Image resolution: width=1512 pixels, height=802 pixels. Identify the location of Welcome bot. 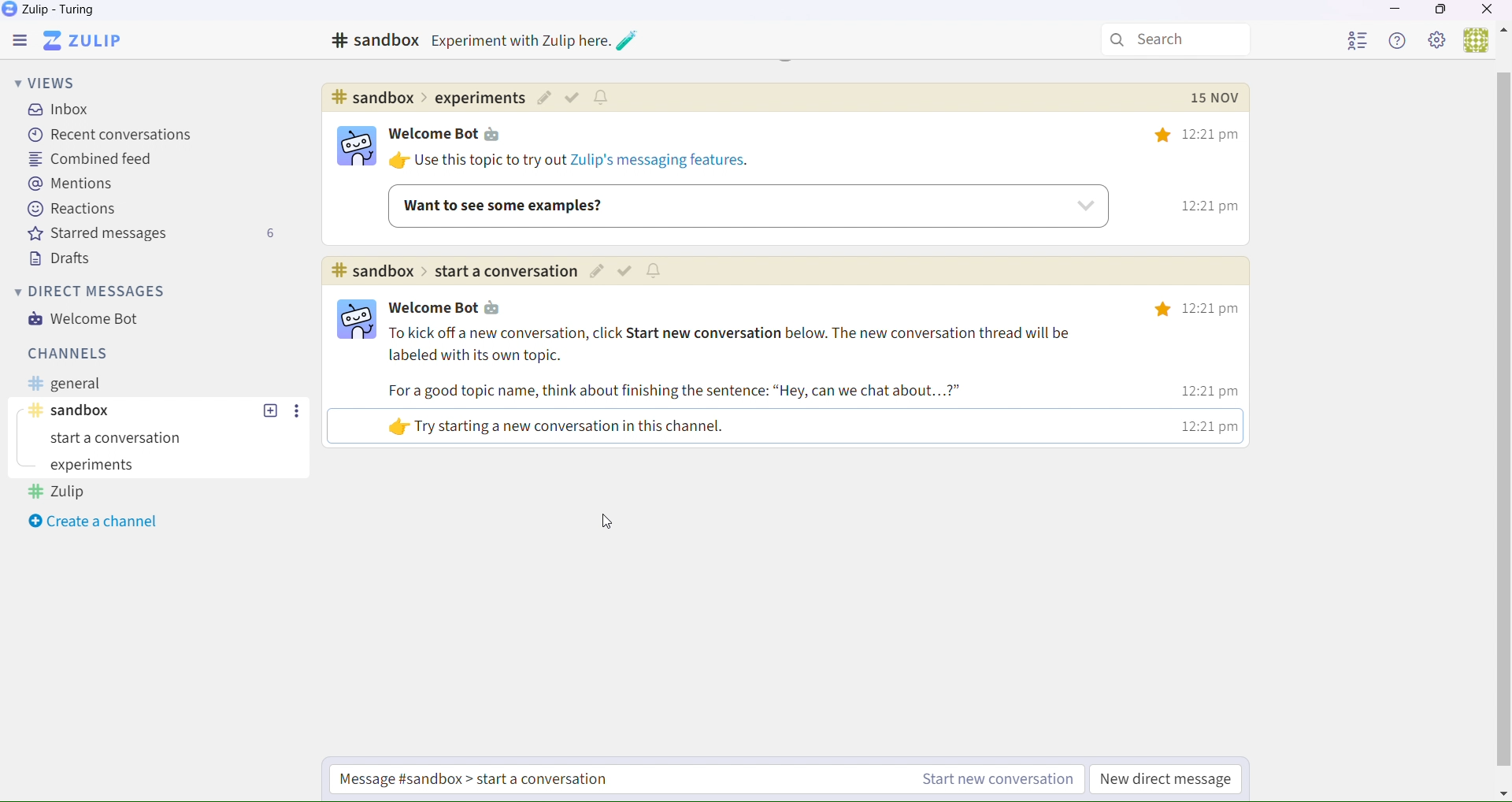
(92, 322).